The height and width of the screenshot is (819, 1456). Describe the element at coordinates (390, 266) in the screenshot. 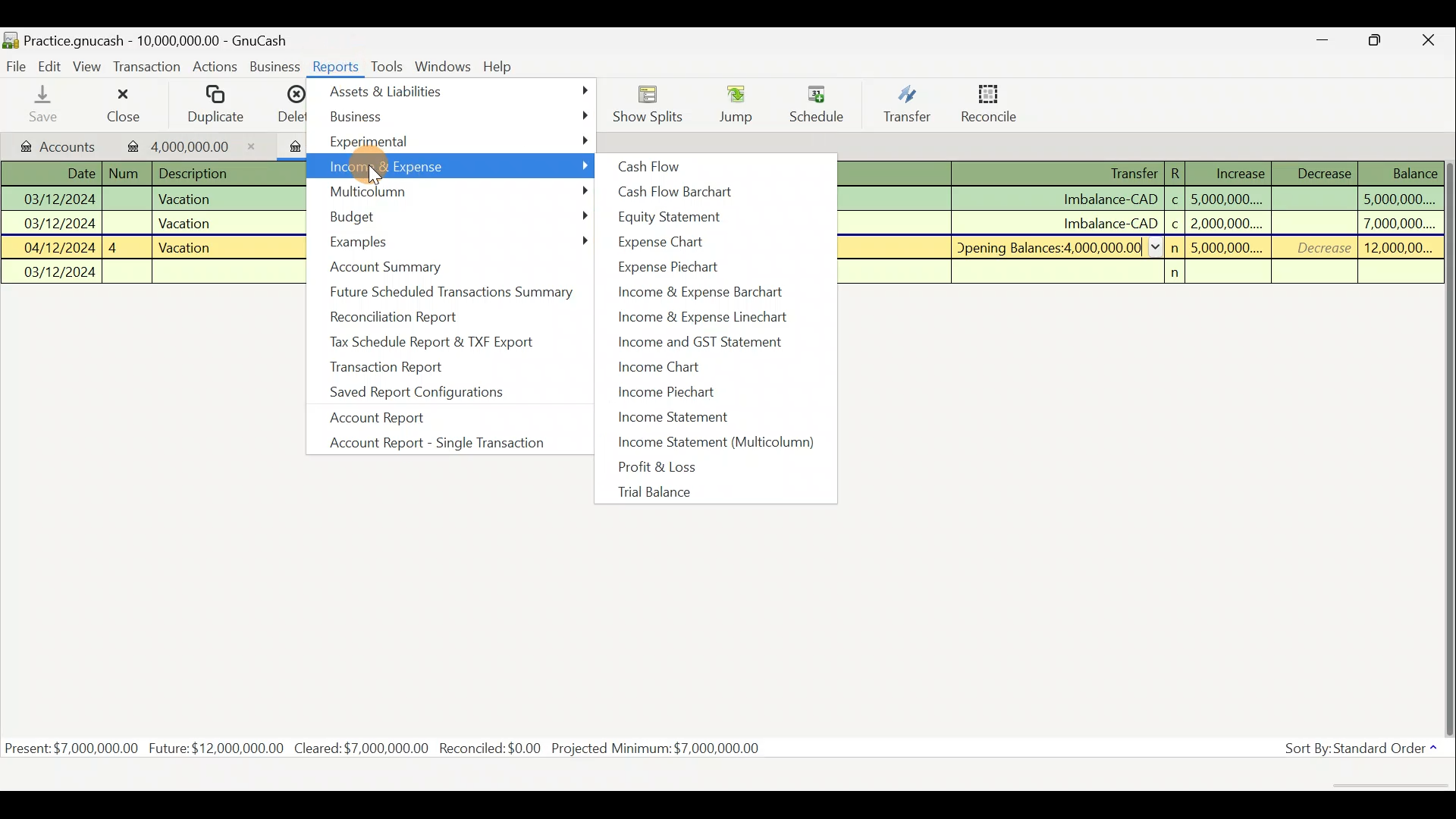

I see `Account summary` at that location.